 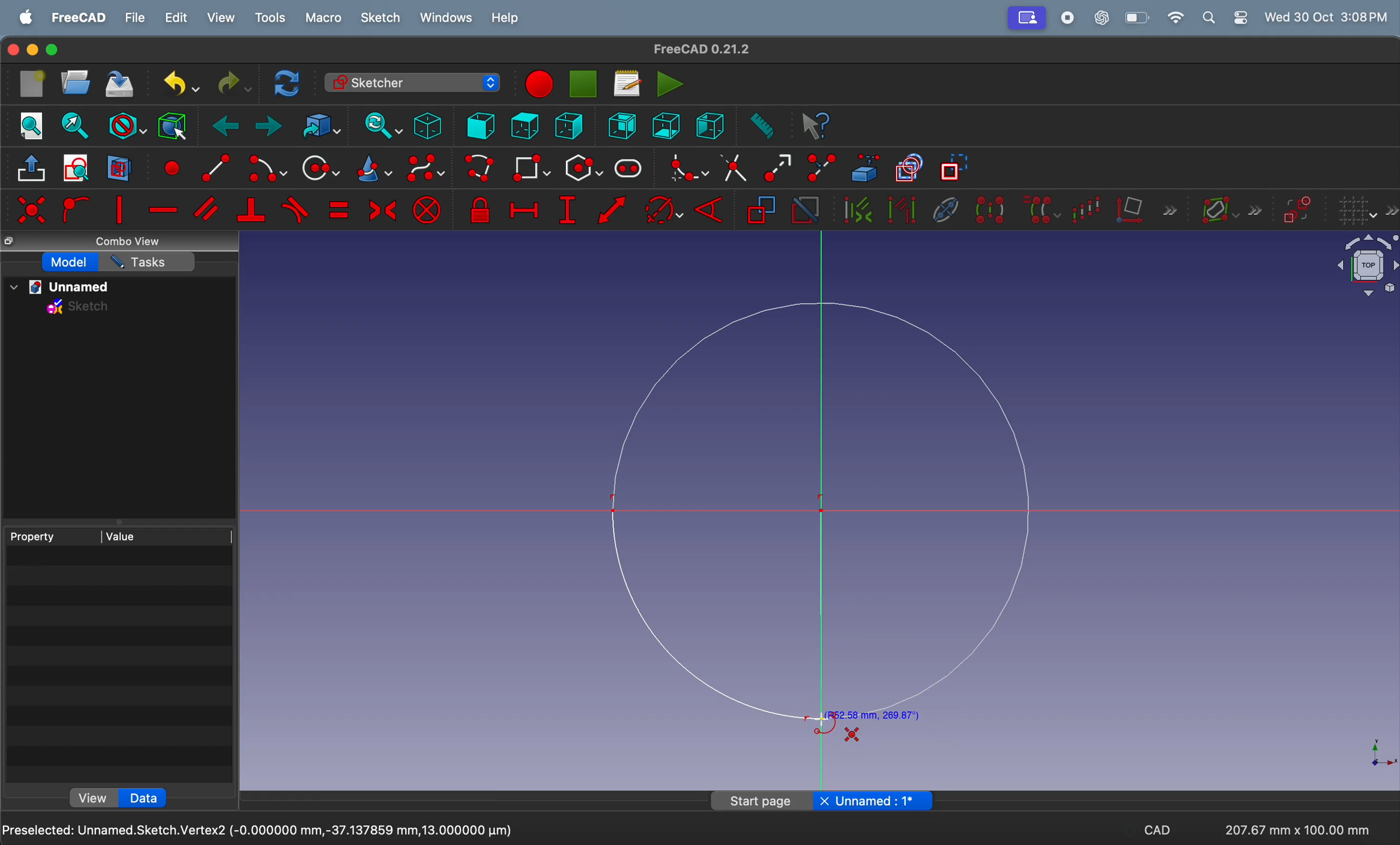 I want to click on chatgpt, so click(x=1103, y=17).